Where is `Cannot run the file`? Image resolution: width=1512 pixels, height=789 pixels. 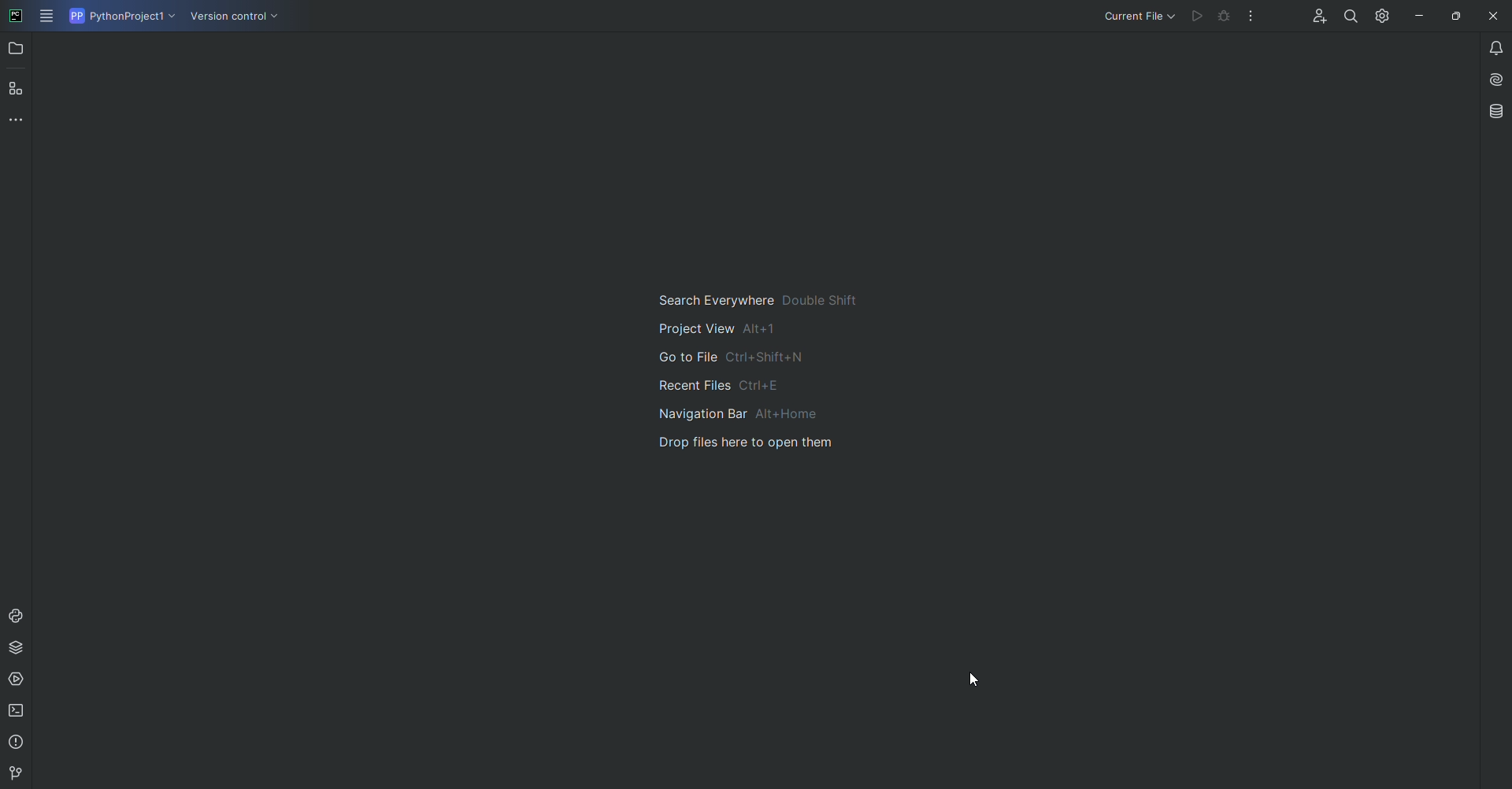 Cannot run the file is located at coordinates (1197, 17).